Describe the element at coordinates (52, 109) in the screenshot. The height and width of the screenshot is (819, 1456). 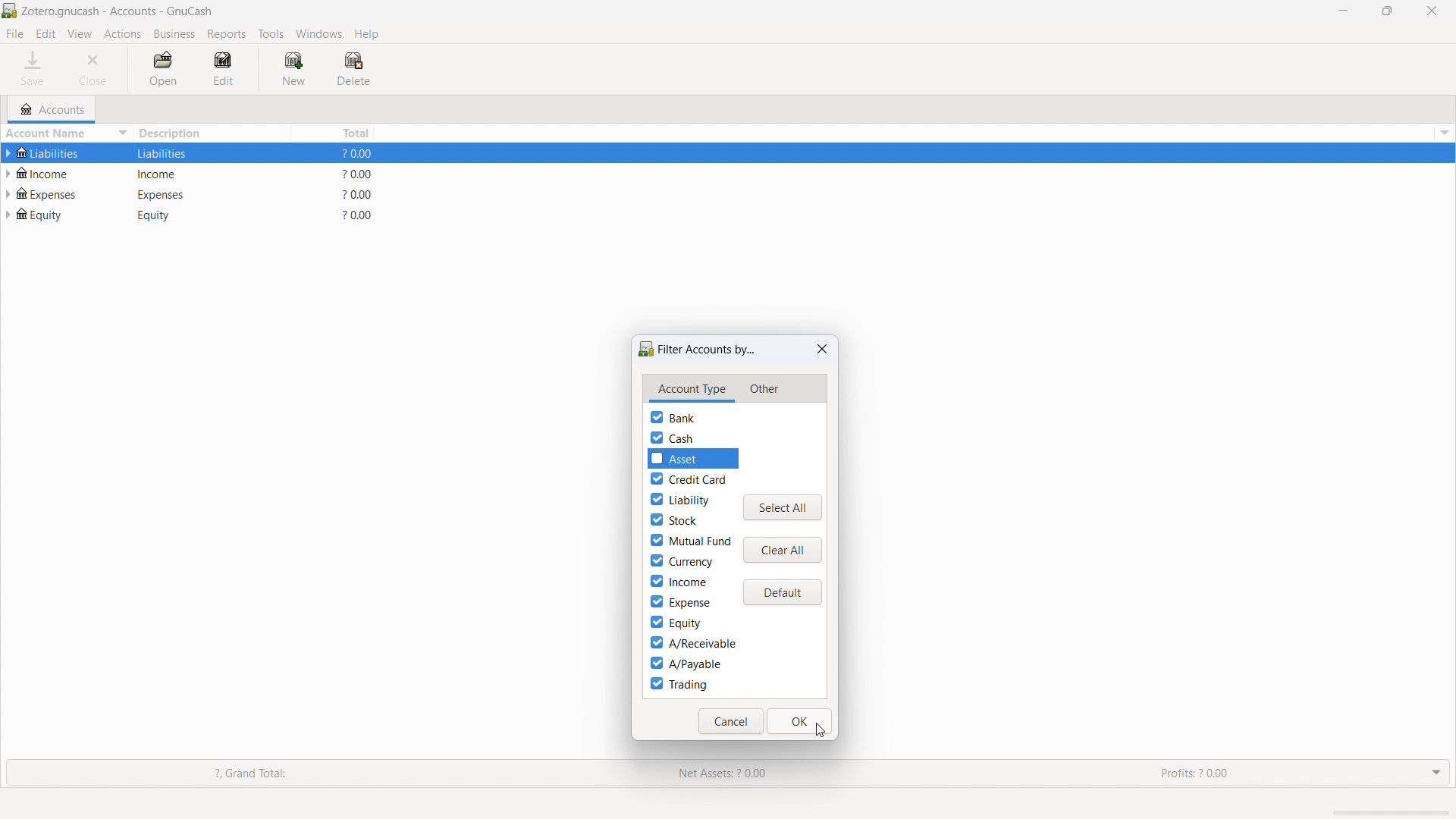
I see `accounts tab` at that location.